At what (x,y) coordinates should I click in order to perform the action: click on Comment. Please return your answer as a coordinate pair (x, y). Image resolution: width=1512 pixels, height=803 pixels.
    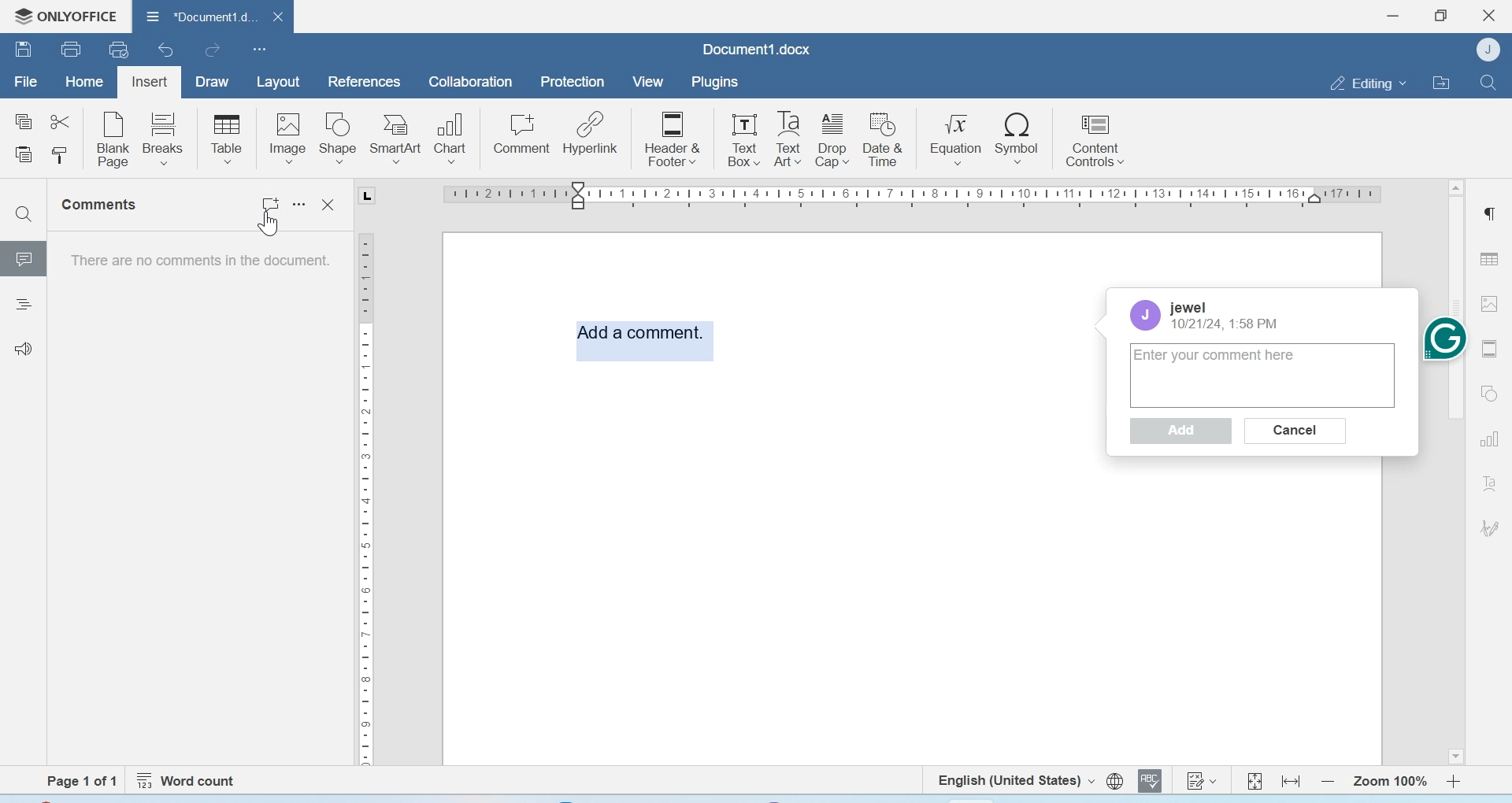
    Looking at the image, I should click on (522, 134).